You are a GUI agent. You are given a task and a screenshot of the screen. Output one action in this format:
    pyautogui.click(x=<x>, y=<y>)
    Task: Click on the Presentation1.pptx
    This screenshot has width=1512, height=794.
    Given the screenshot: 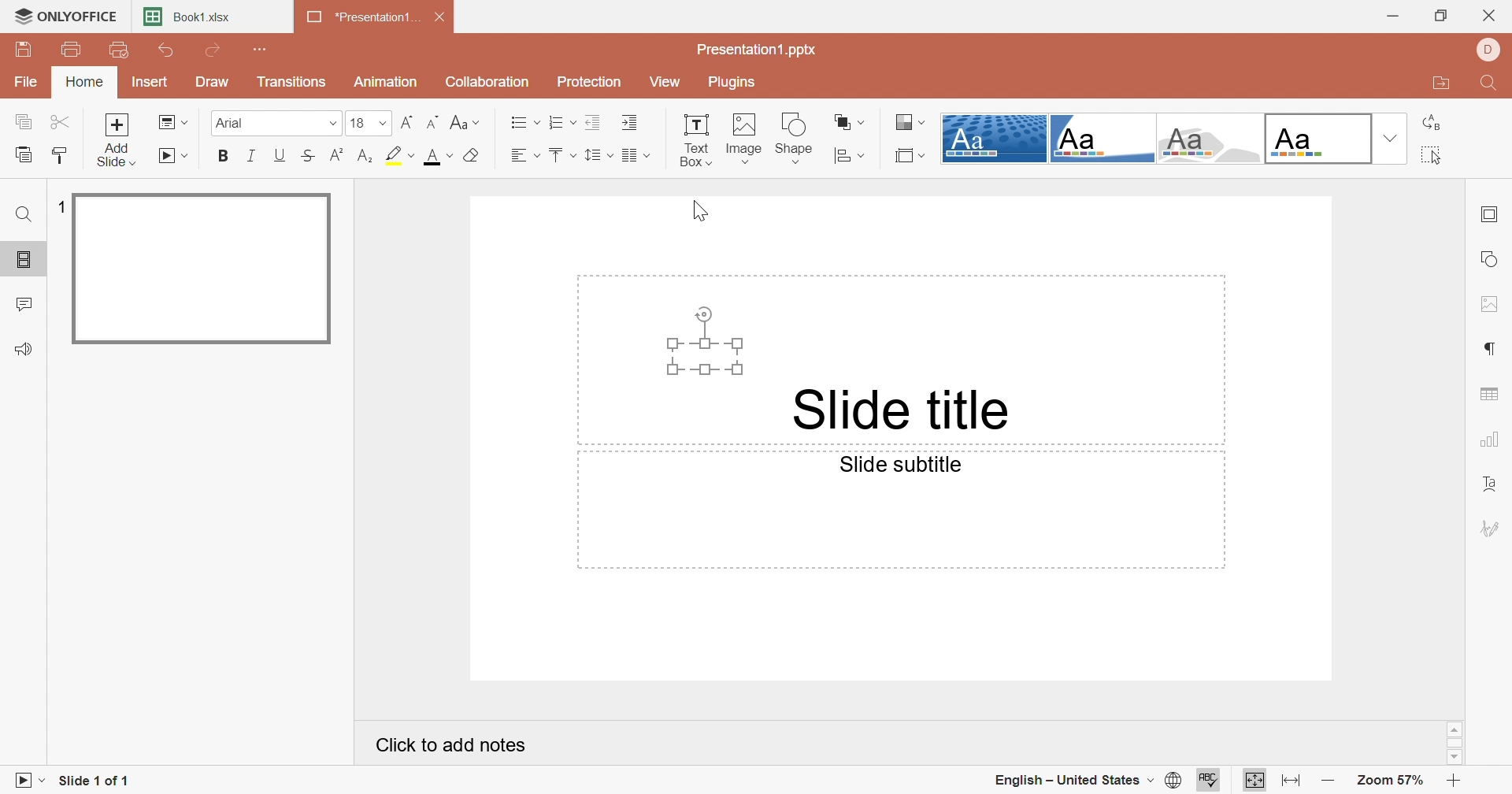 What is the action you would take?
    pyautogui.click(x=757, y=51)
    